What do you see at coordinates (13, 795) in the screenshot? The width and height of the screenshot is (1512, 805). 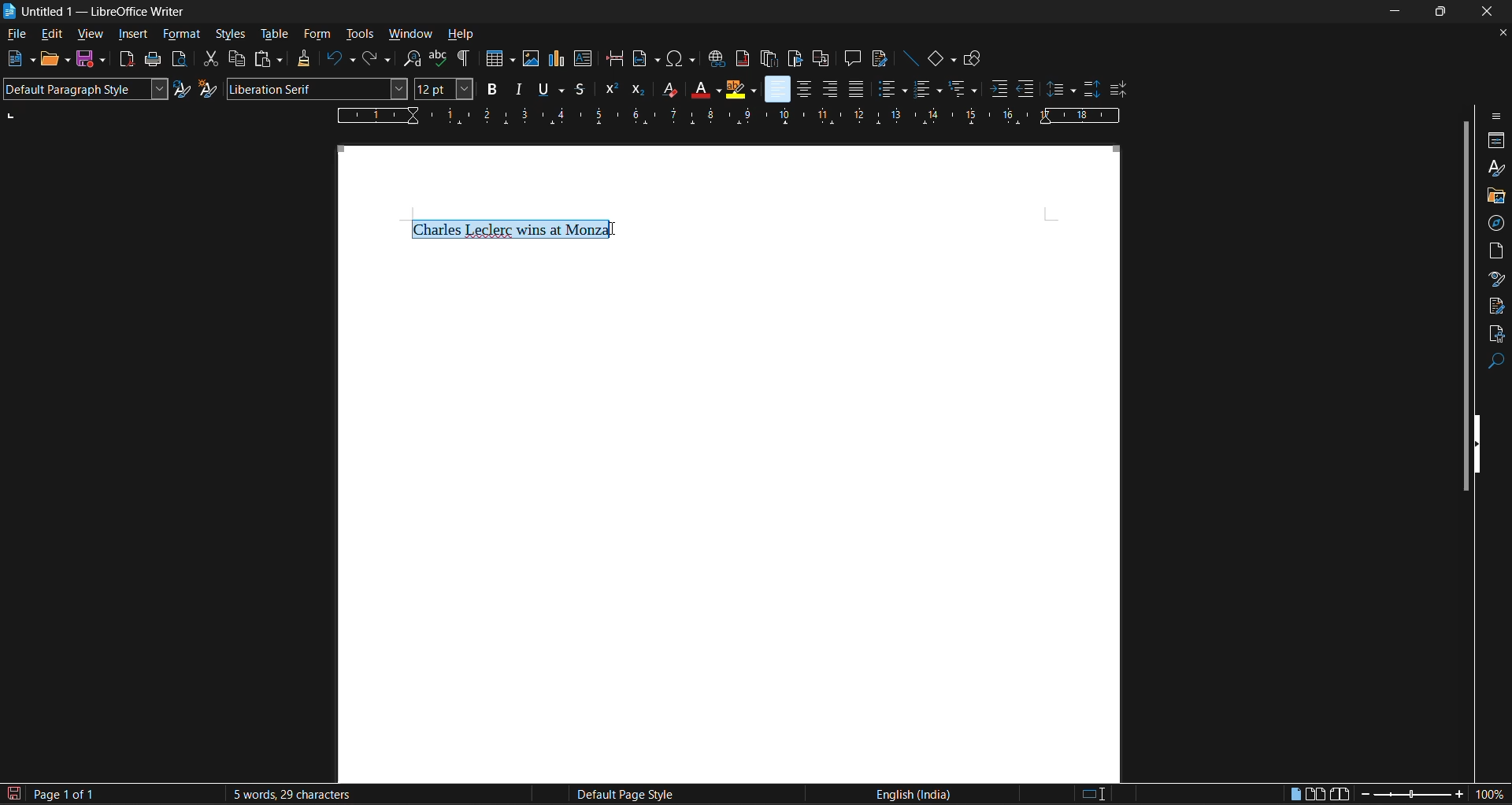 I see `click to save` at bounding box center [13, 795].